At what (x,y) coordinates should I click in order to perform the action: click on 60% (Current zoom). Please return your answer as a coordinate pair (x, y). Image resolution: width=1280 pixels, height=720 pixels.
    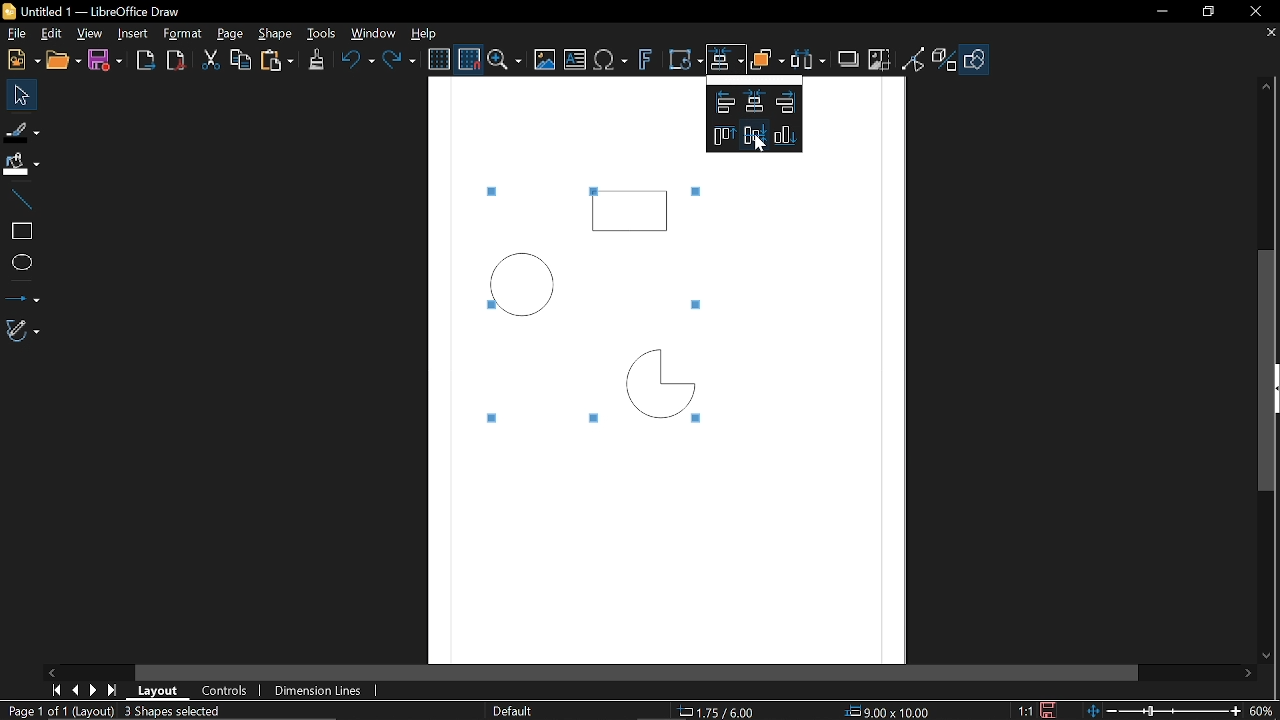
    Looking at the image, I should click on (1261, 710).